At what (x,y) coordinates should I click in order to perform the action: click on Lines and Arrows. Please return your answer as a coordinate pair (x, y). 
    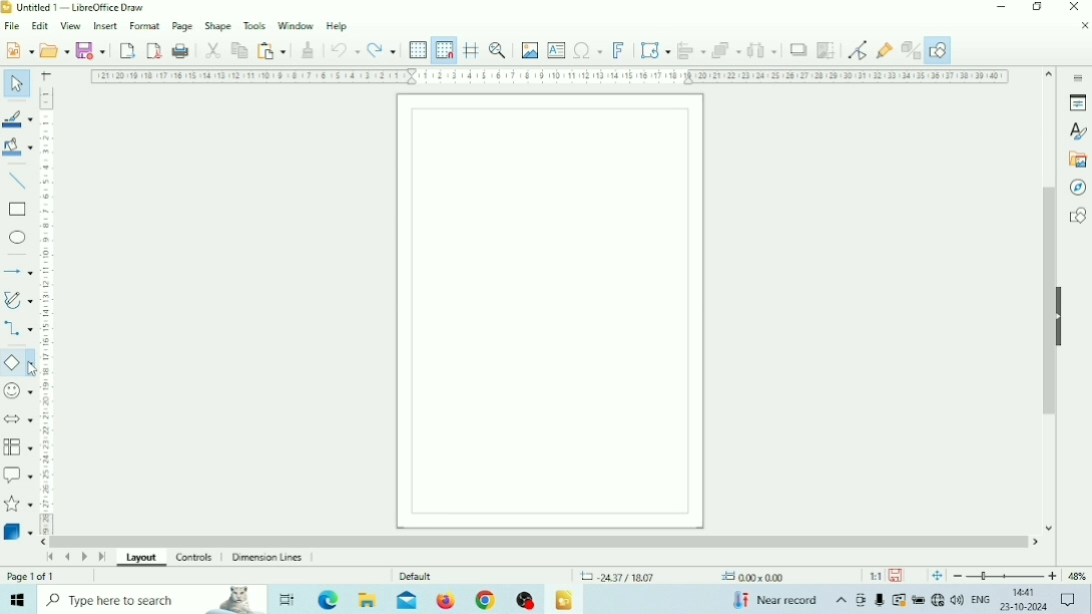
    Looking at the image, I should click on (17, 271).